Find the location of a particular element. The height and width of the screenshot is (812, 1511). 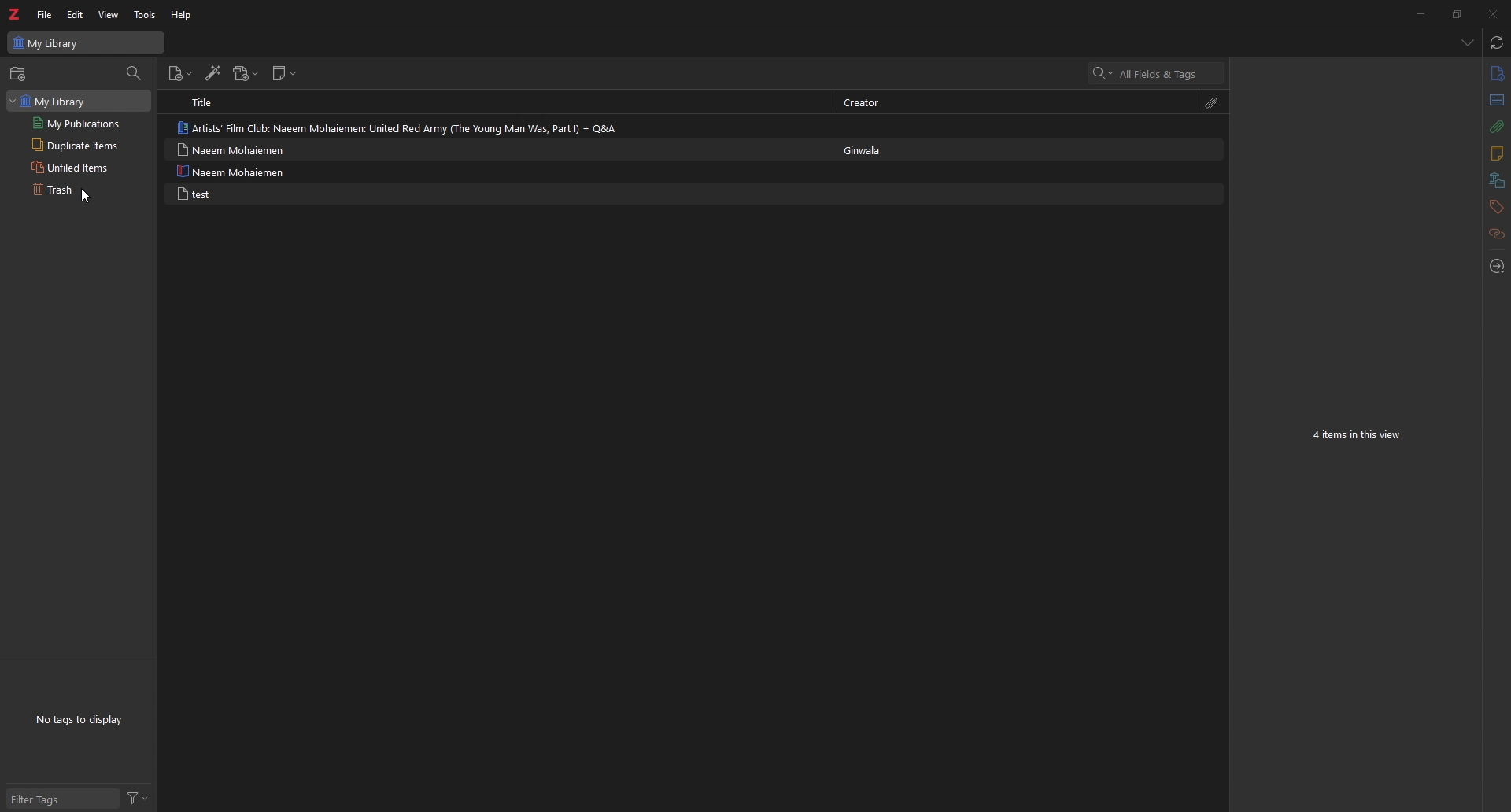

sync with zotero.org is located at coordinates (1496, 43).